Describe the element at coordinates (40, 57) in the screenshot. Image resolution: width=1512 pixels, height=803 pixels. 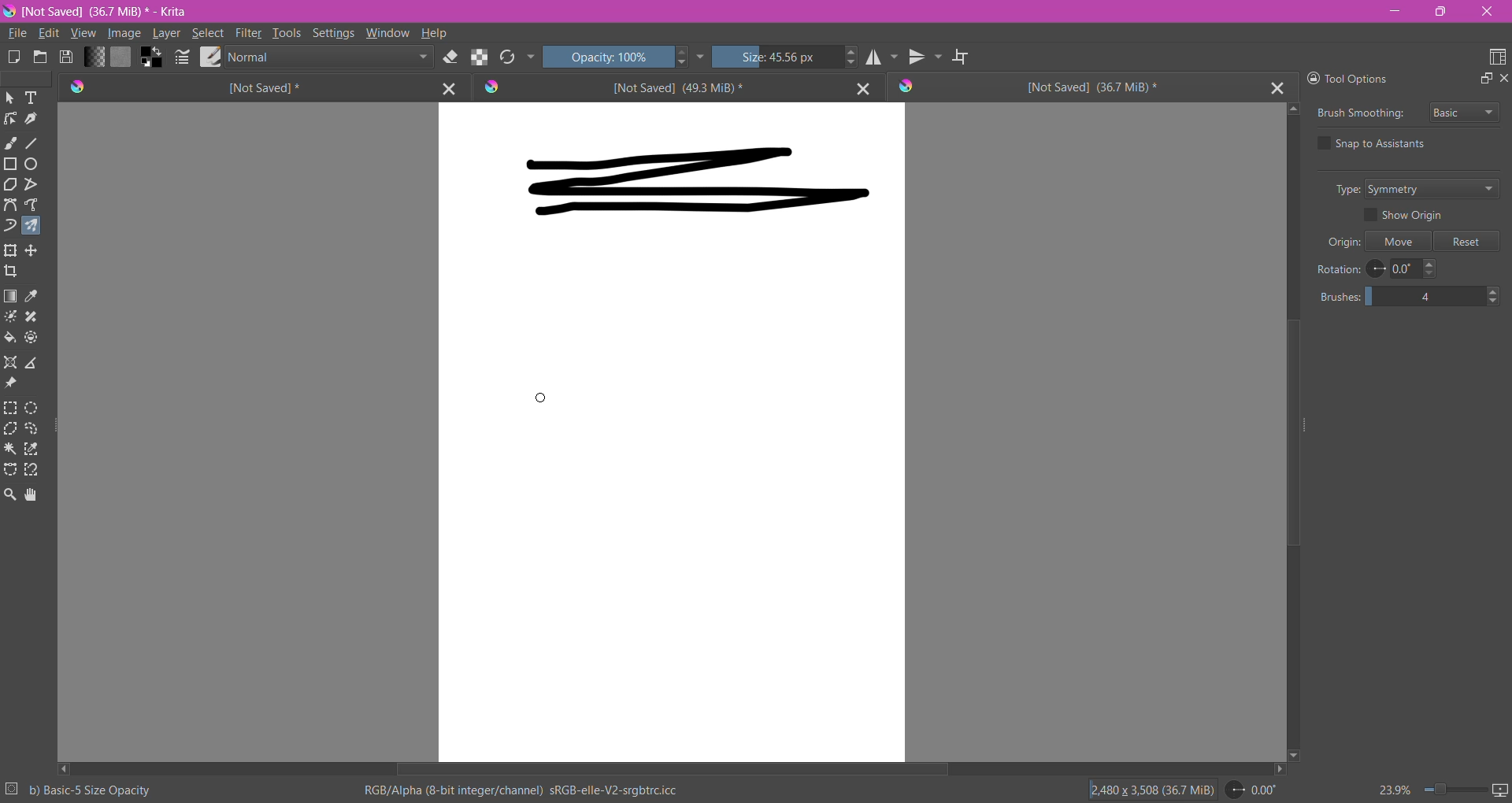
I see `Open and existing Document` at that location.